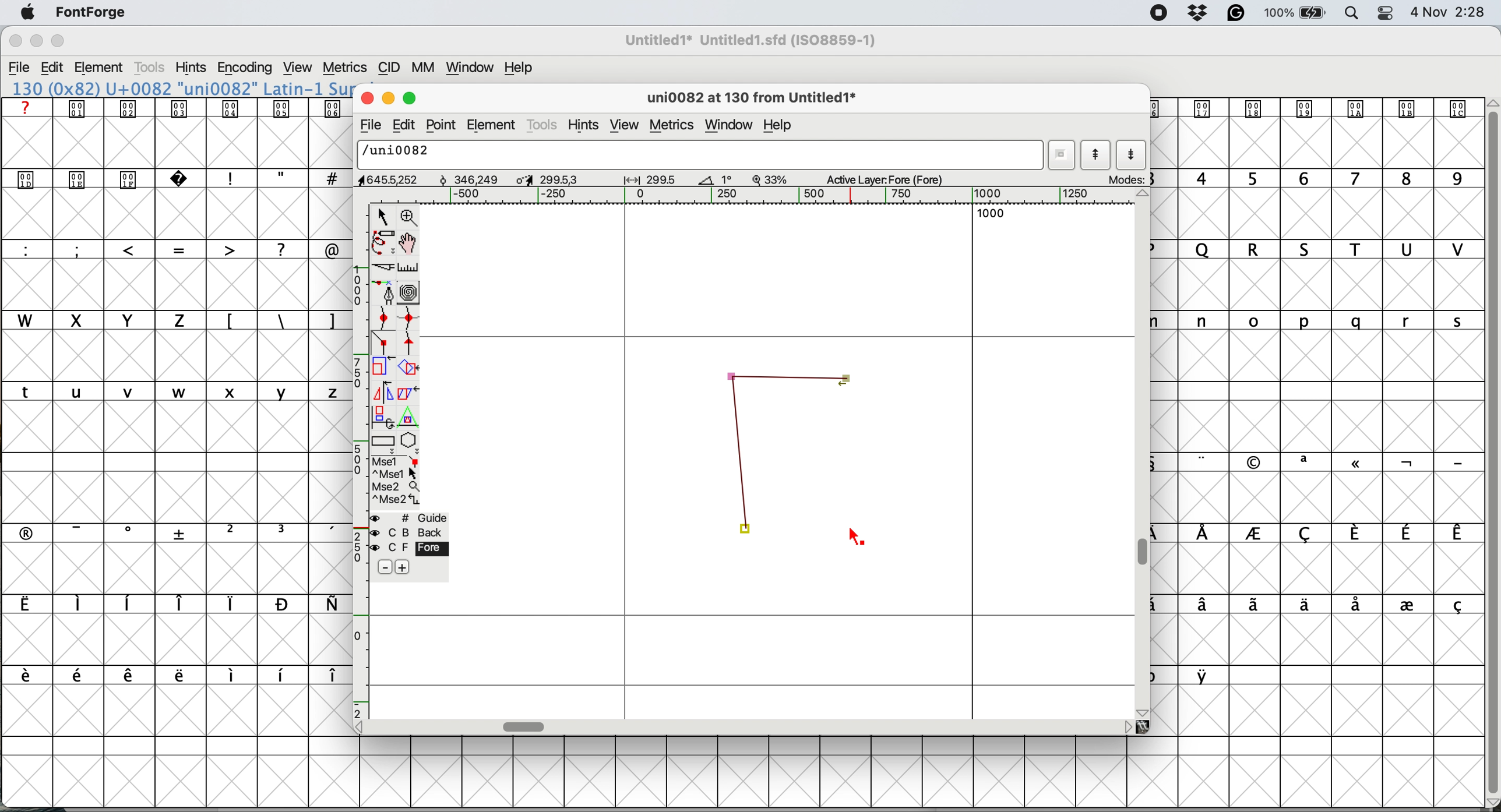  I want to click on flip the selection, so click(381, 393).